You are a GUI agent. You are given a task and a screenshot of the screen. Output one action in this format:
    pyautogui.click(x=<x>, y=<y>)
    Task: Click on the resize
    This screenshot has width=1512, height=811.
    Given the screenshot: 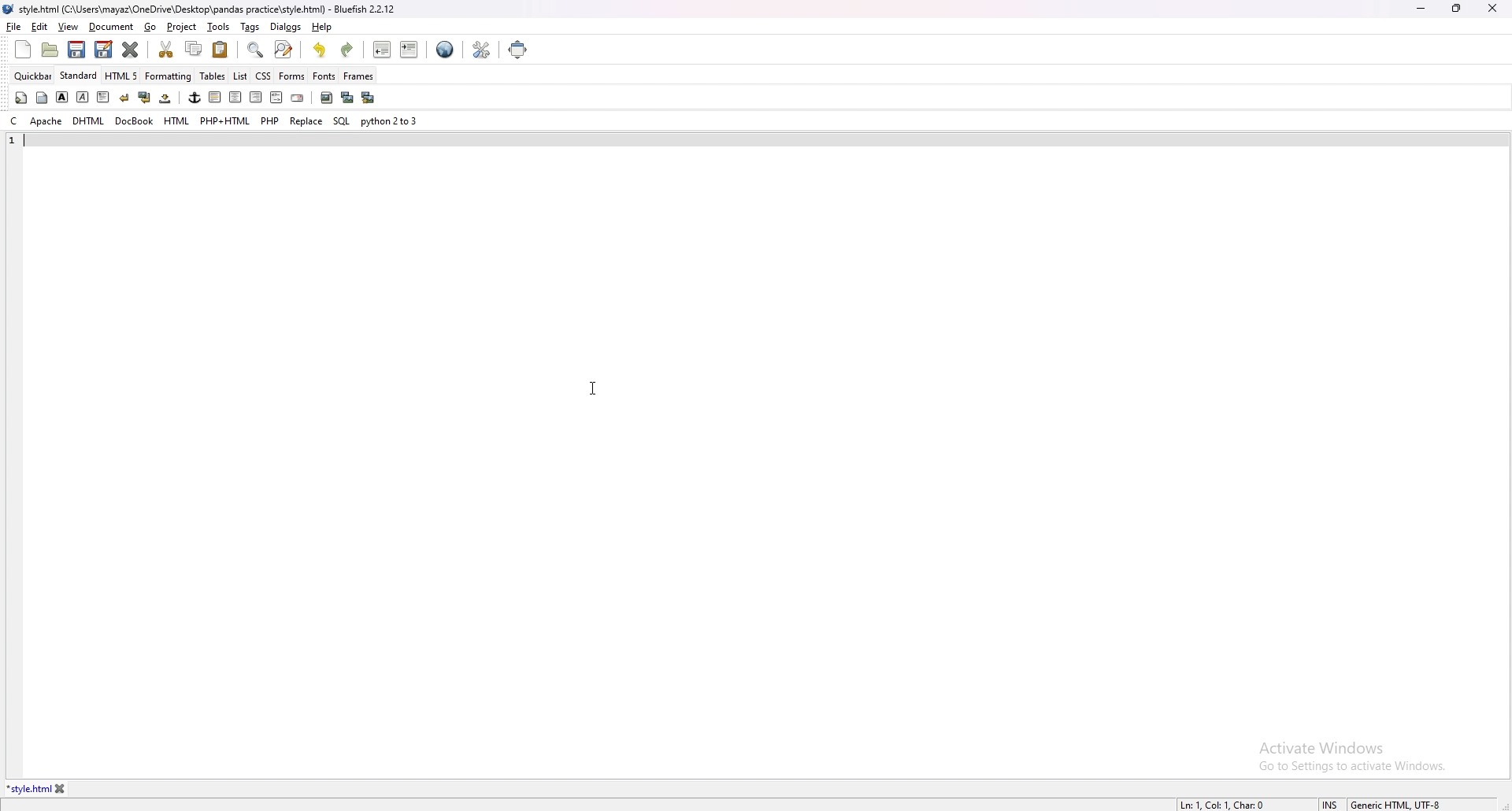 What is the action you would take?
    pyautogui.click(x=1456, y=8)
    